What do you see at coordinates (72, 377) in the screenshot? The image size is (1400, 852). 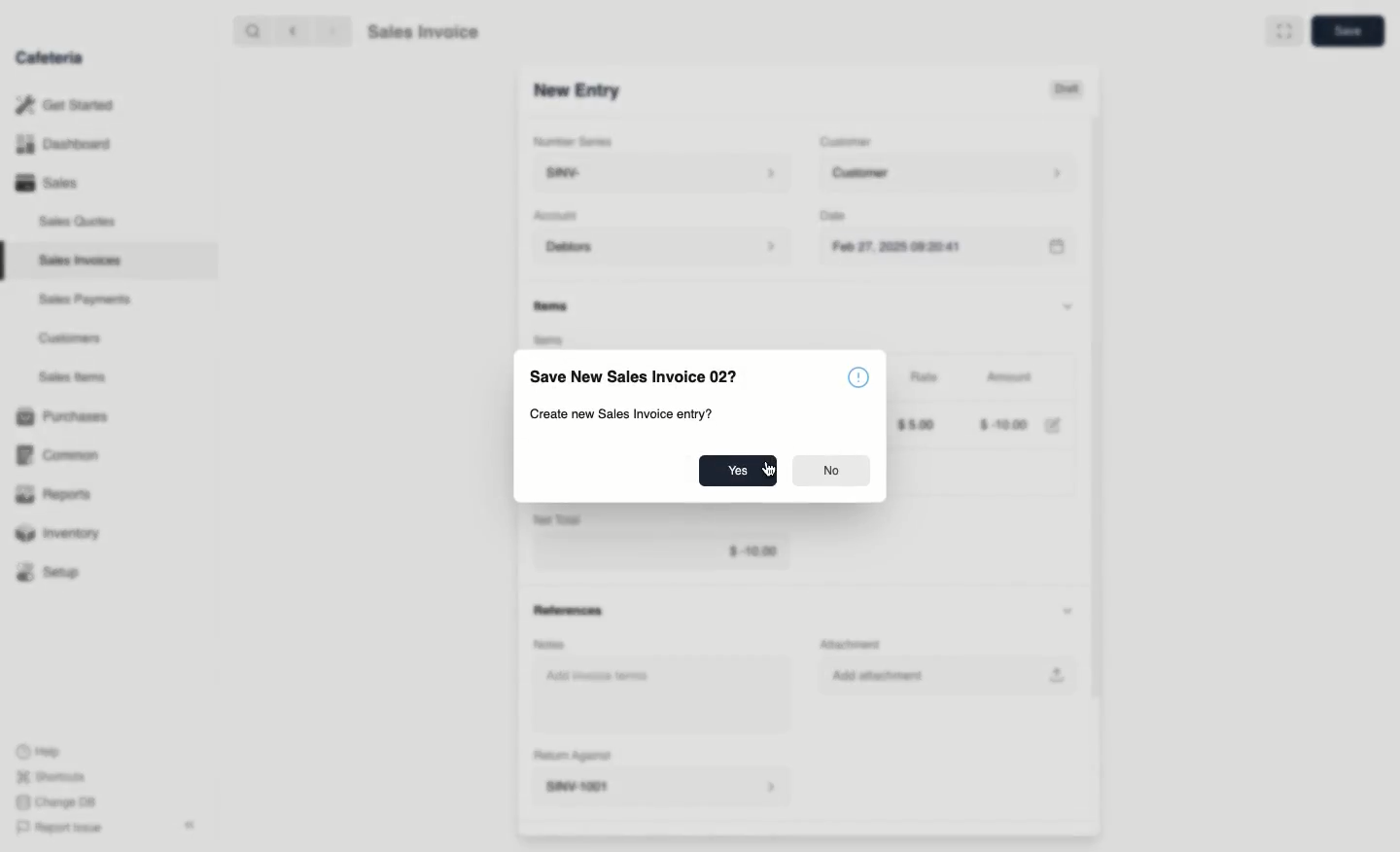 I see `Sales Items` at bounding box center [72, 377].